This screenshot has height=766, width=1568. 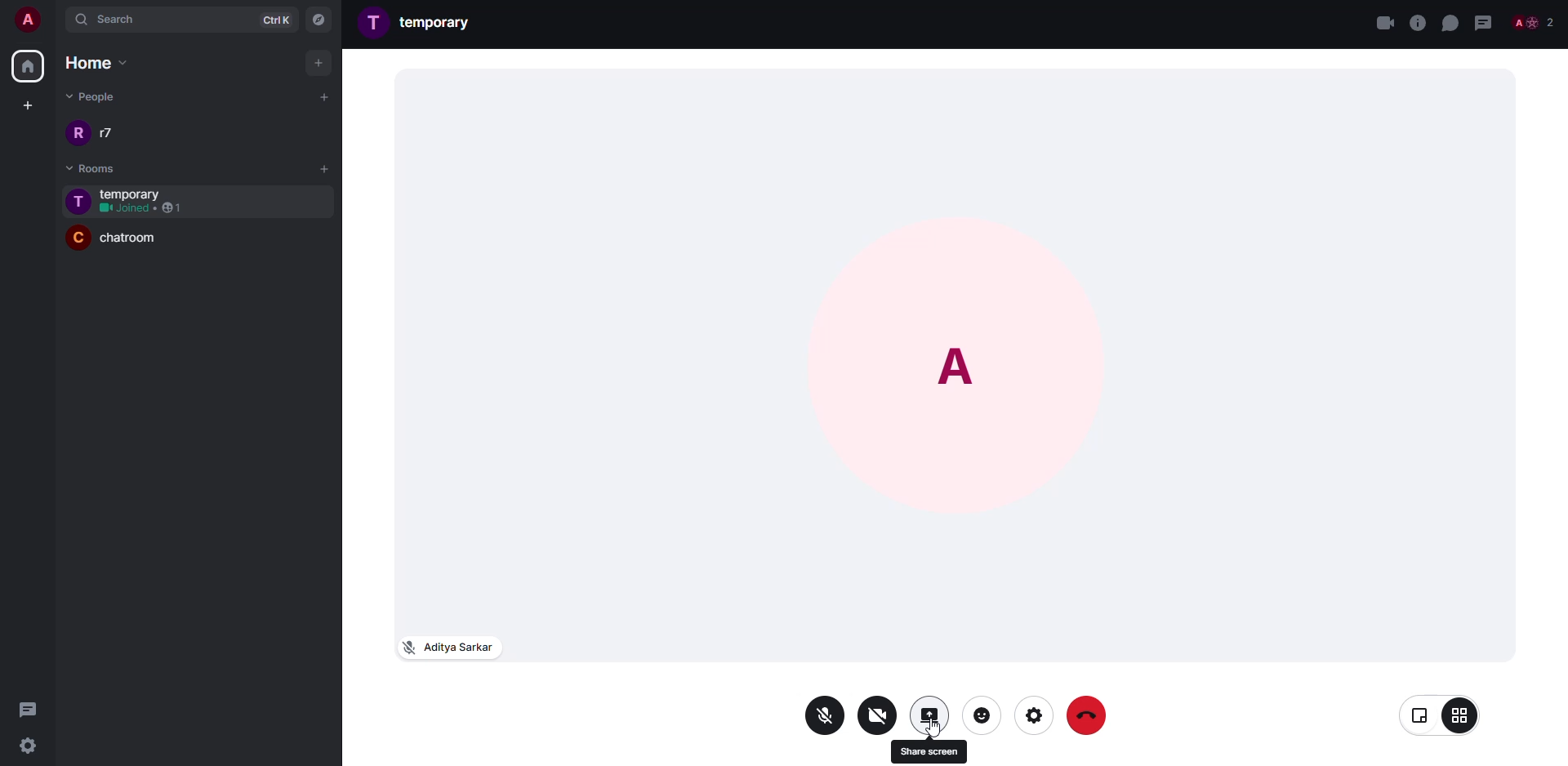 I want to click on close, so click(x=1384, y=22).